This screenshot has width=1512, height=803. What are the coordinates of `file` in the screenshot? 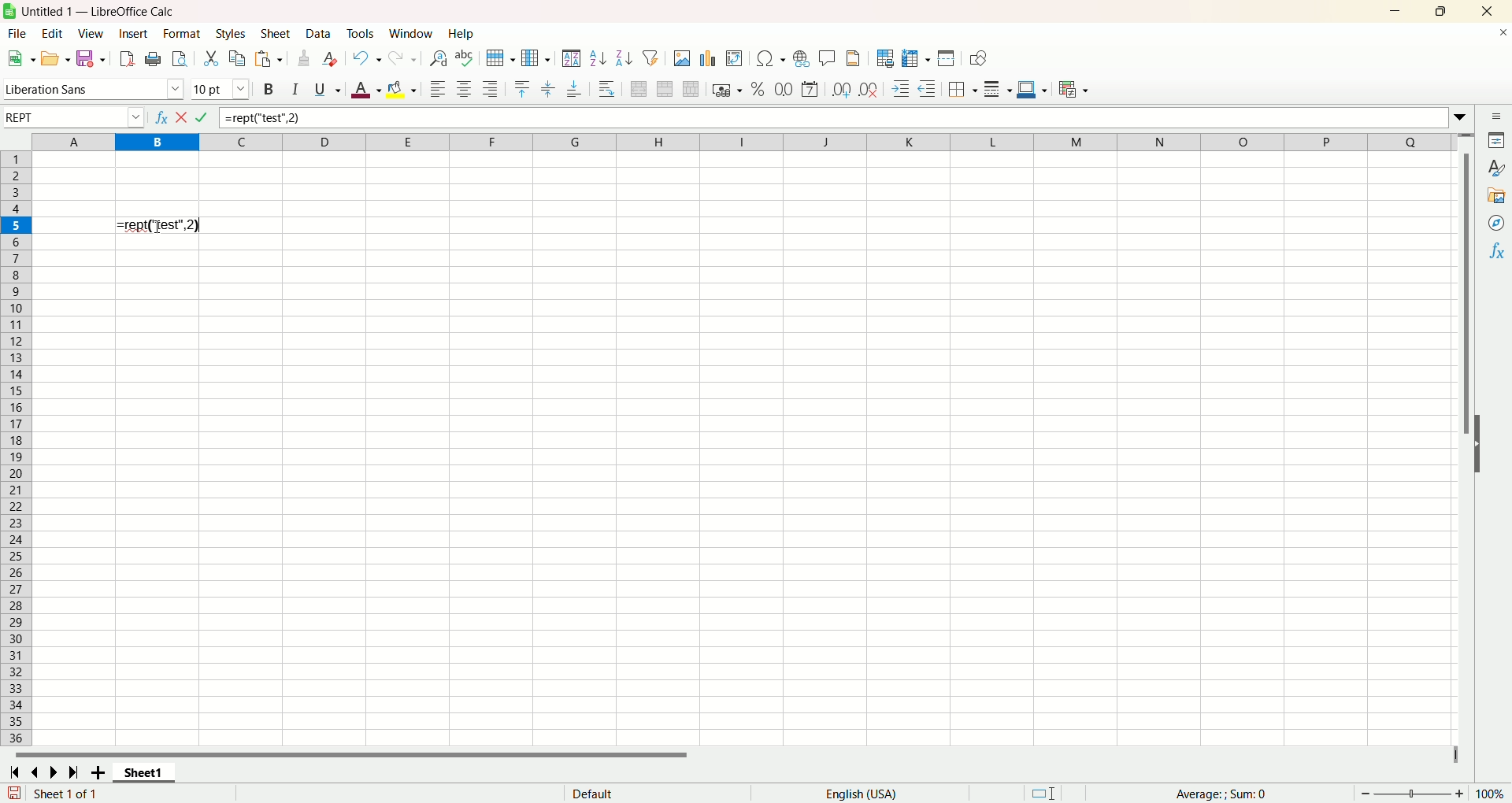 It's located at (18, 33).